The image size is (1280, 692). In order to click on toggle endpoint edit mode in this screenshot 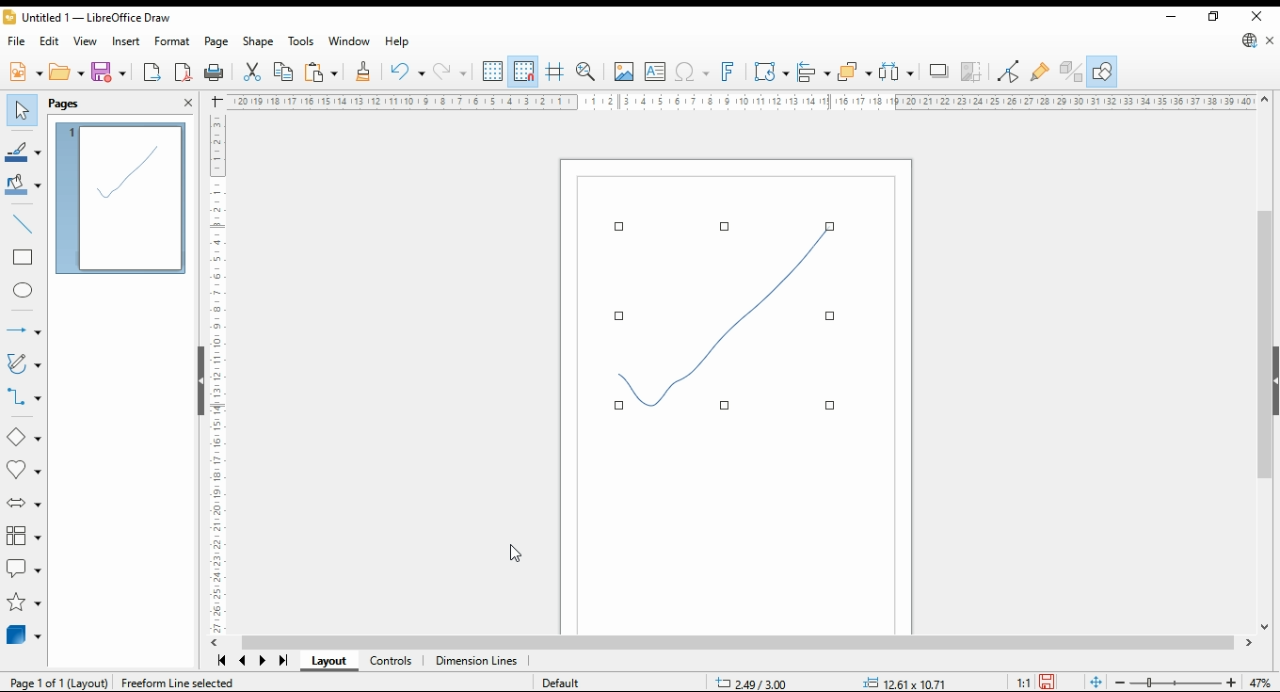, I will do `click(1009, 72)`.